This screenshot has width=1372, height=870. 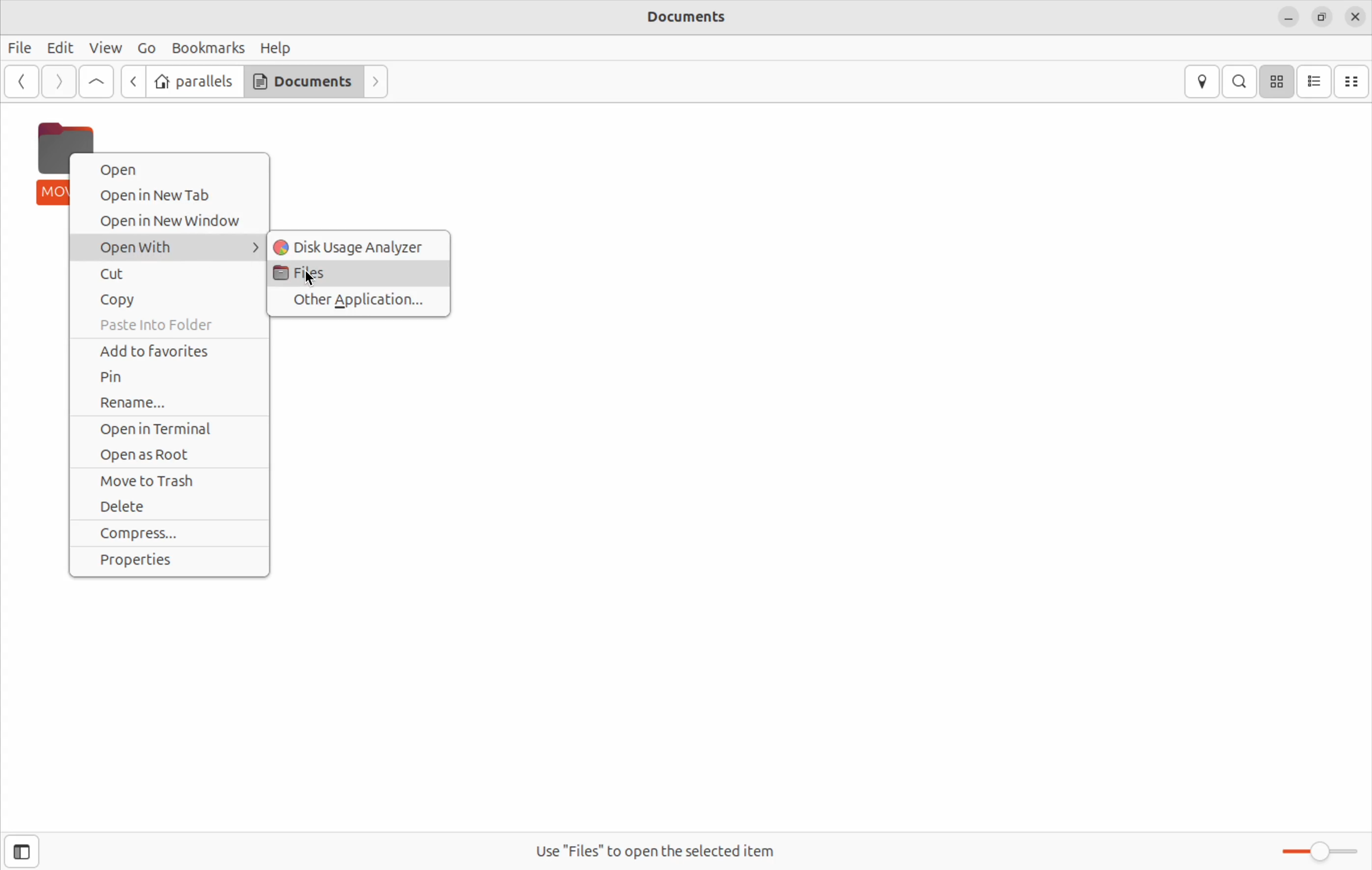 What do you see at coordinates (130, 80) in the screenshot?
I see `back` at bounding box center [130, 80].